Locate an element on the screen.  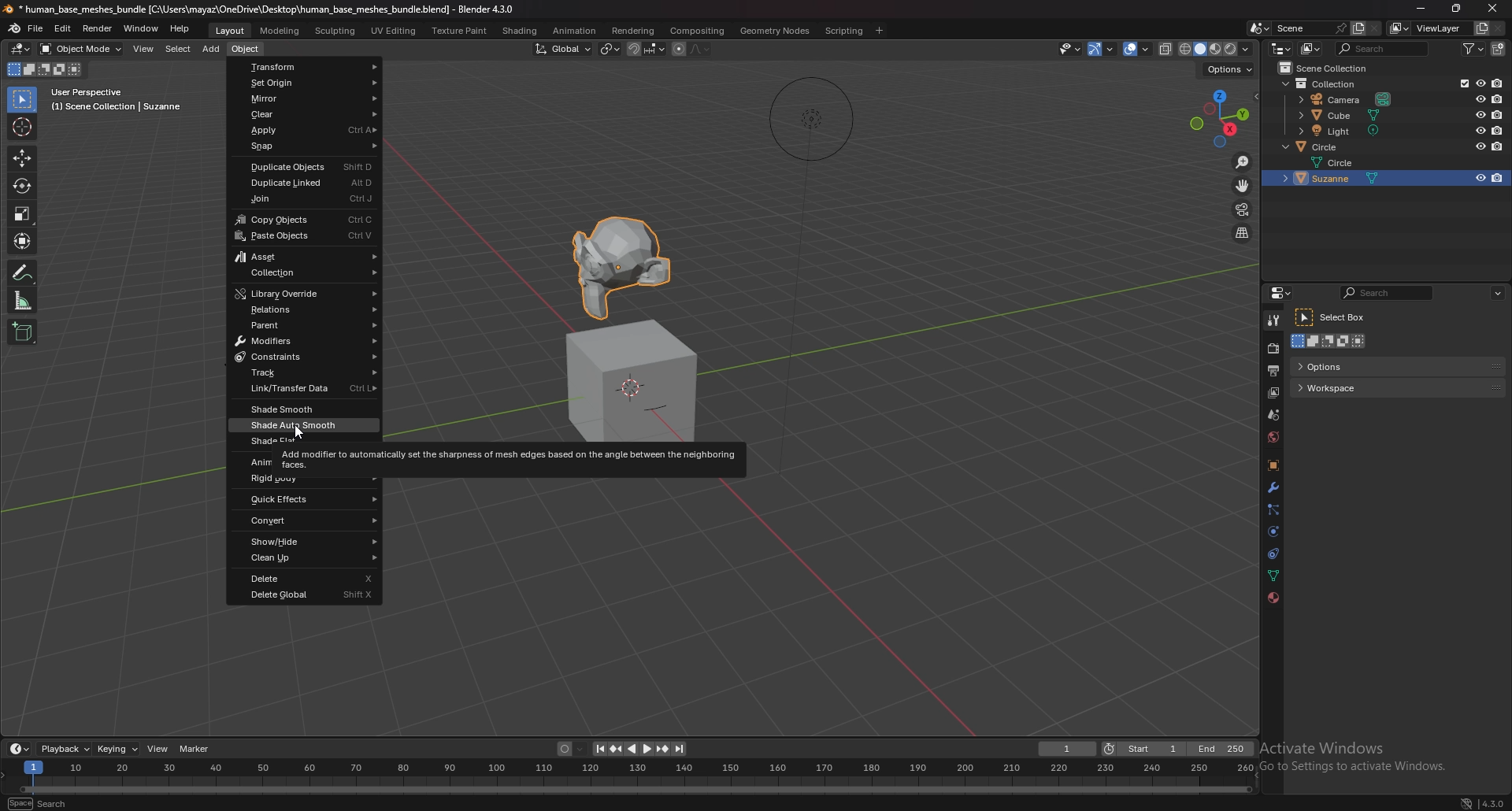
cursor is located at coordinates (1495, 8).